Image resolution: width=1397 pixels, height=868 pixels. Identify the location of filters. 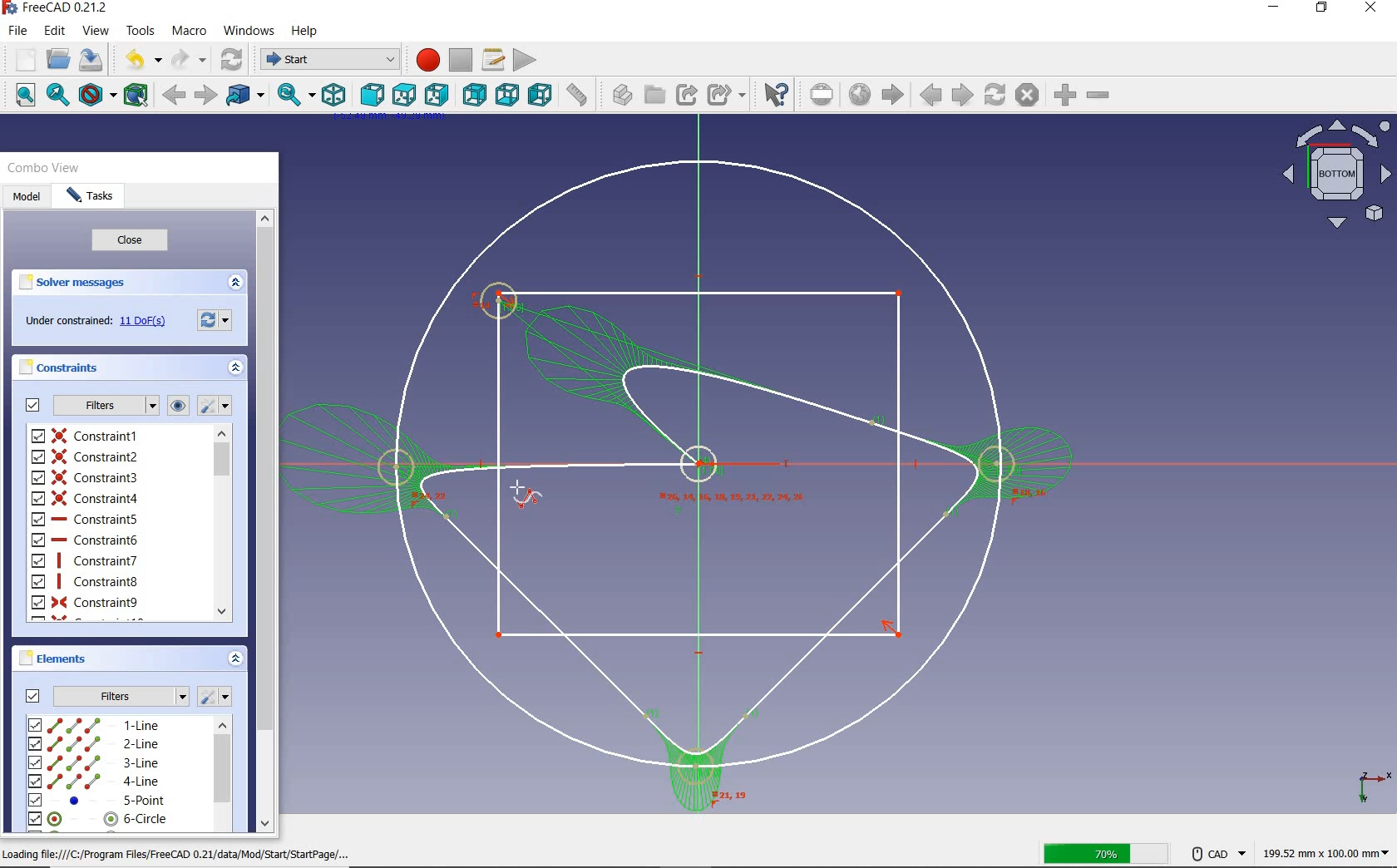
(91, 404).